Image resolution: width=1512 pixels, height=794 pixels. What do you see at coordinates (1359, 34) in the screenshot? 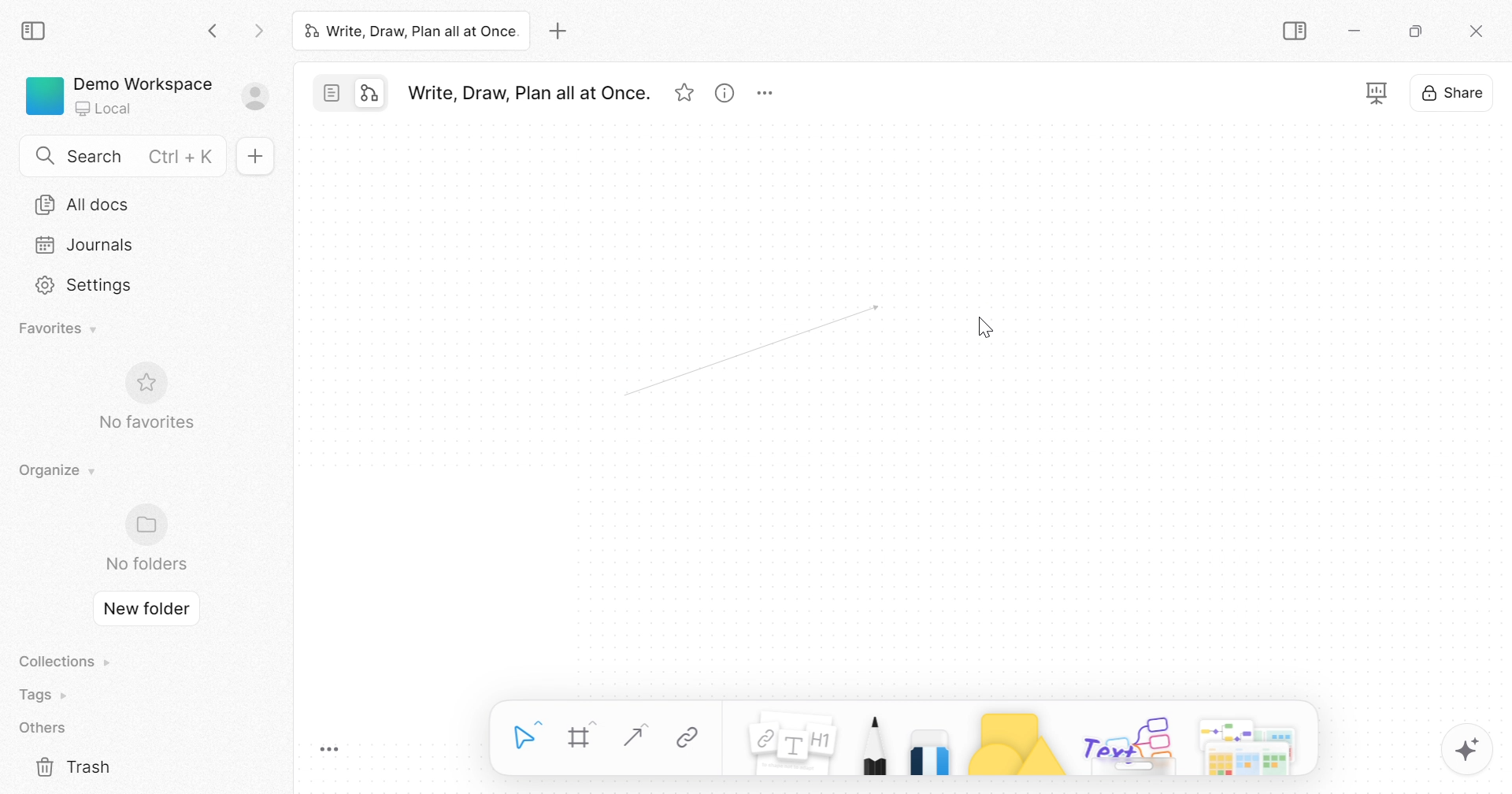
I see `Minimize` at bounding box center [1359, 34].